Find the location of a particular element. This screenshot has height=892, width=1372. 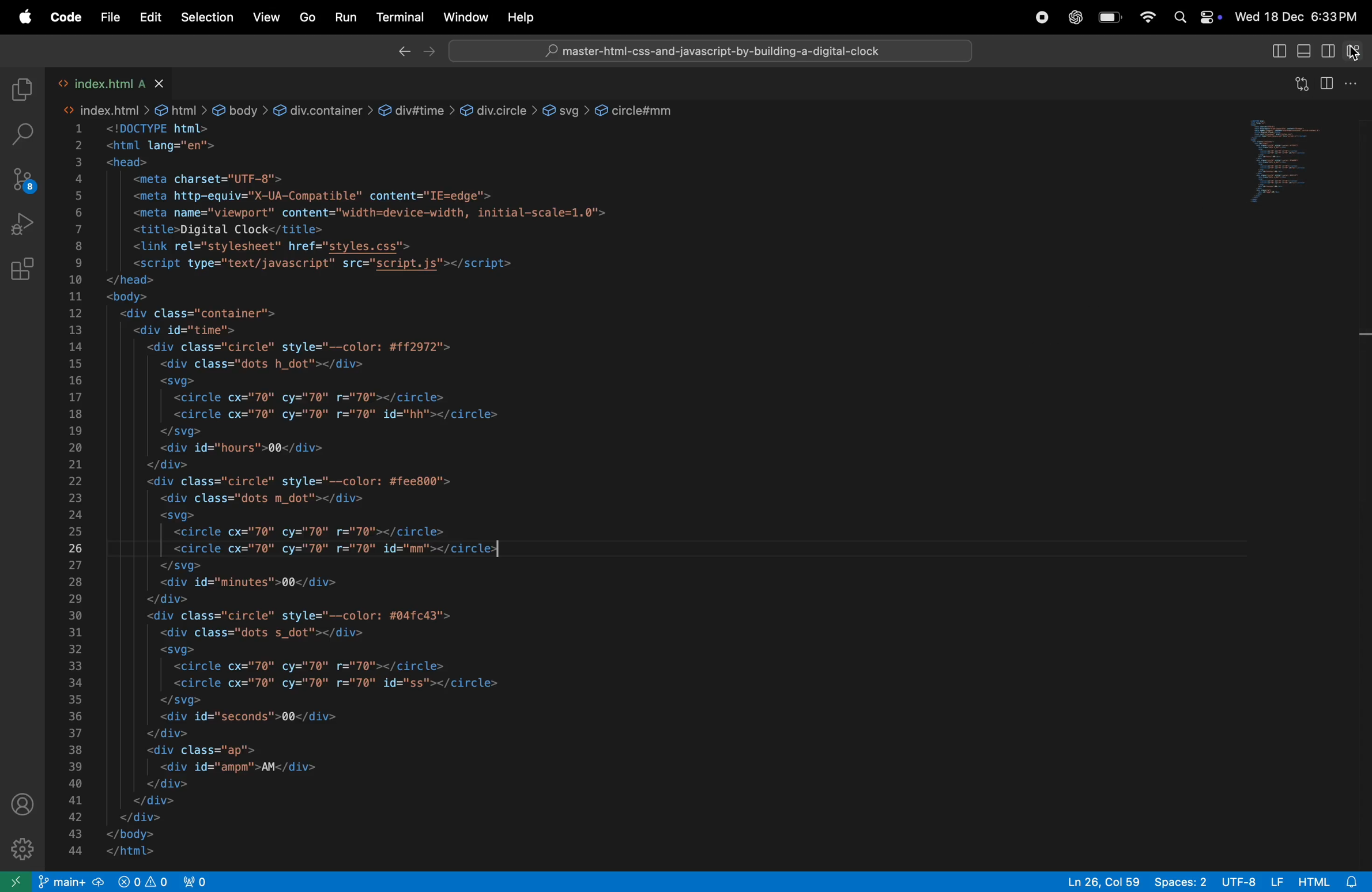

Code is located at coordinates (61, 17).